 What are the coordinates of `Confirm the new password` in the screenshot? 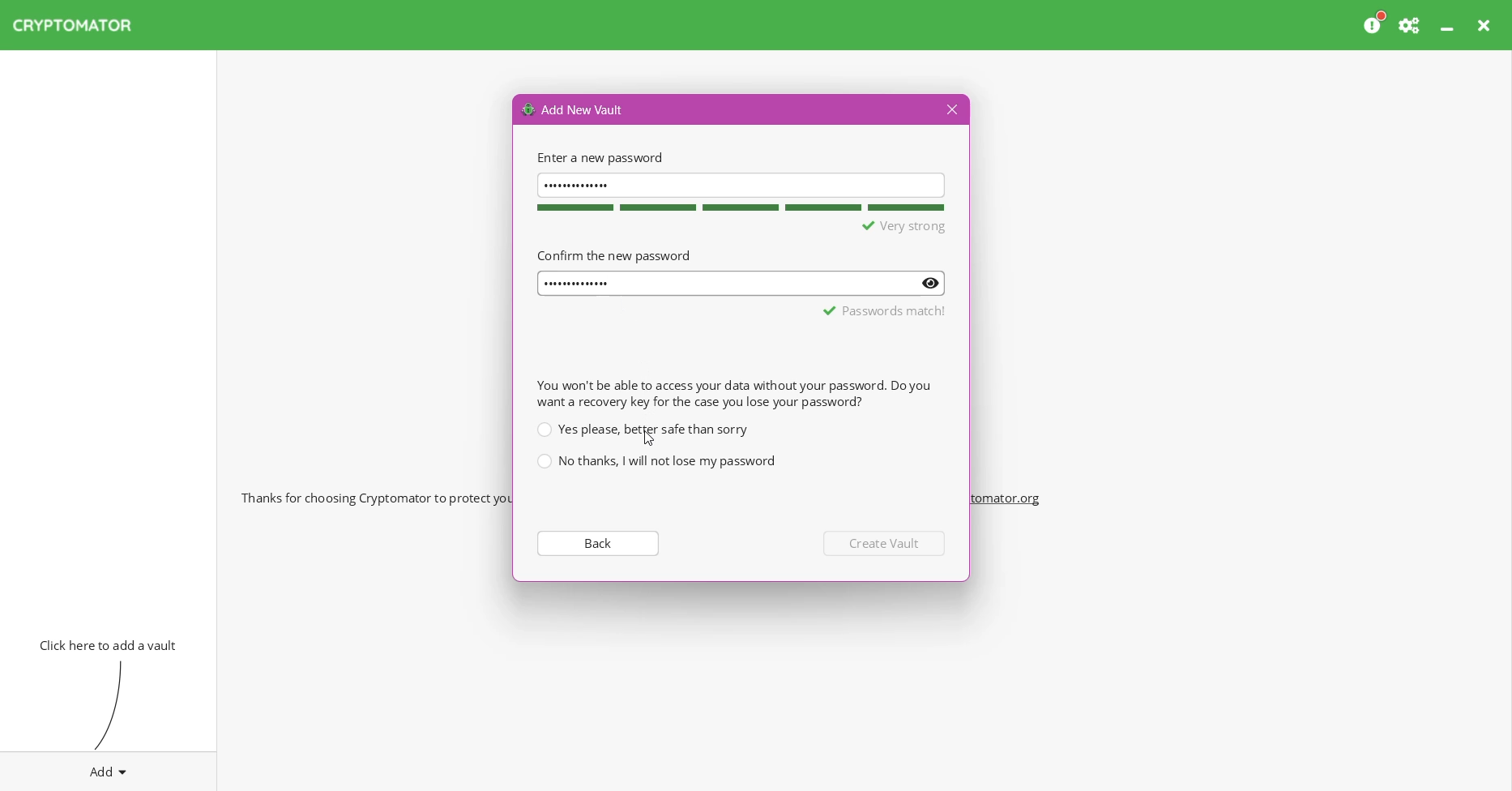 It's located at (742, 284).